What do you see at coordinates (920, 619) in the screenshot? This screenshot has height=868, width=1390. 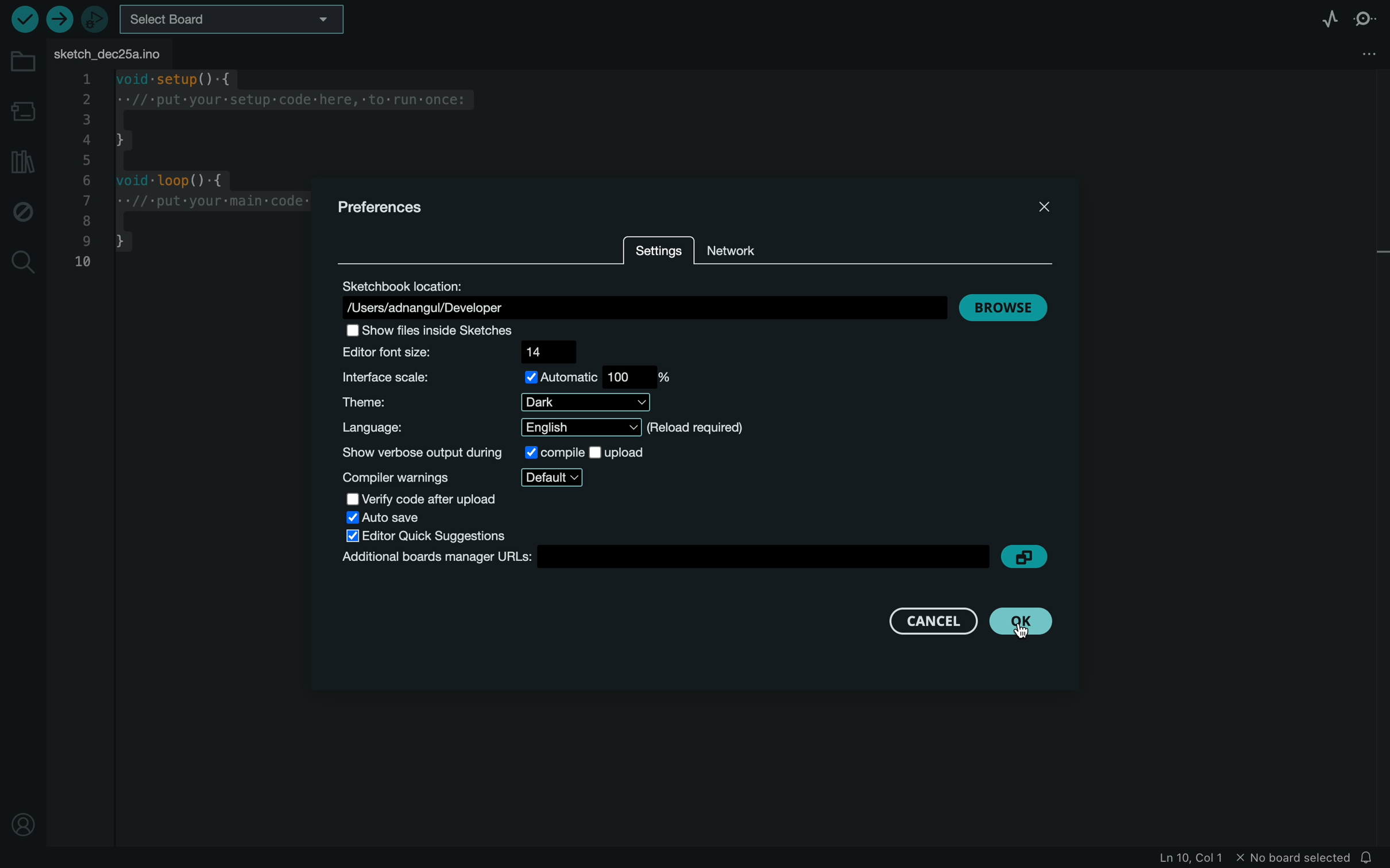 I see `cancel` at bounding box center [920, 619].